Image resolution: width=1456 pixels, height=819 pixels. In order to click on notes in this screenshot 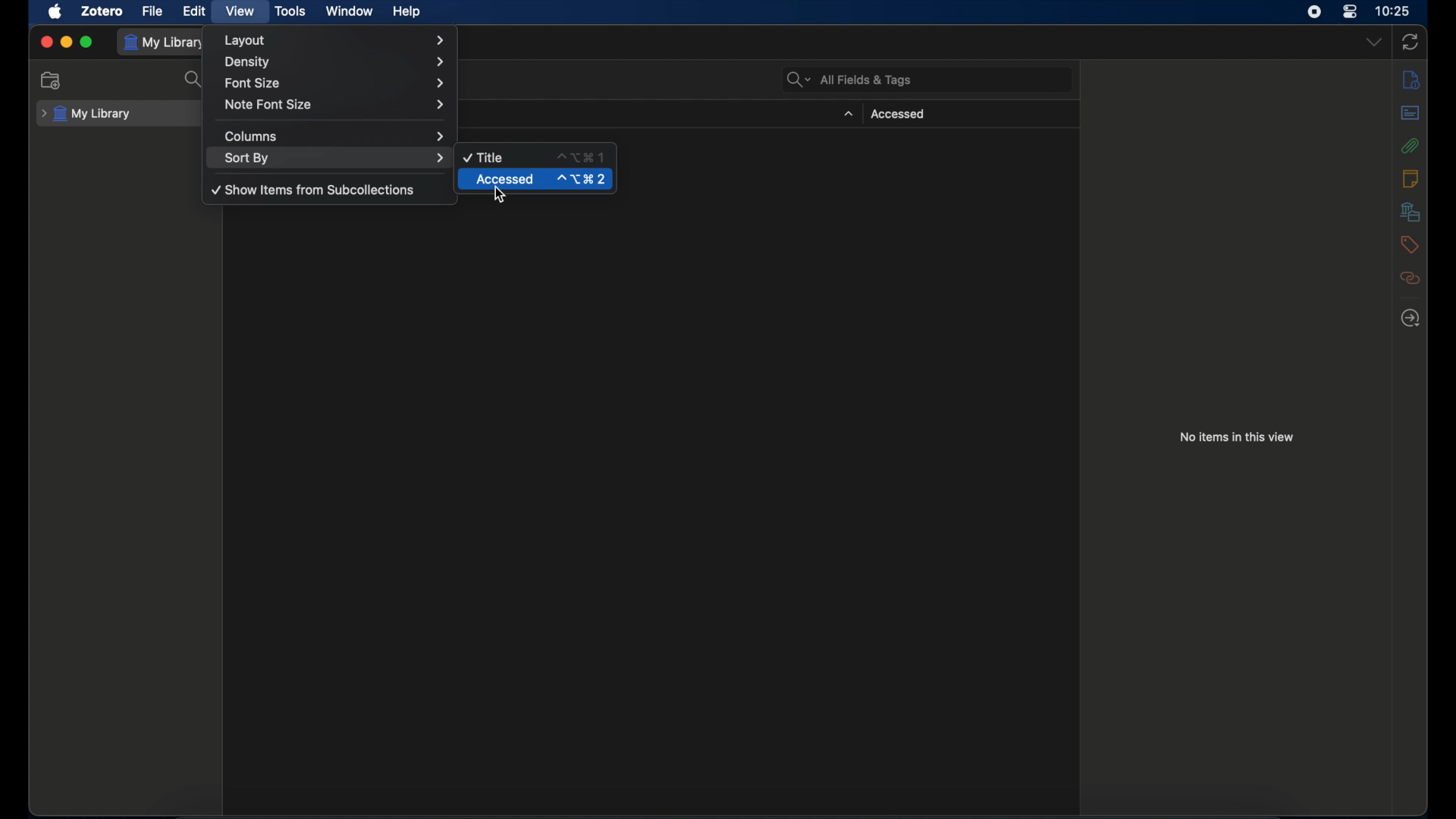, I will do `click(1410, 177)`.